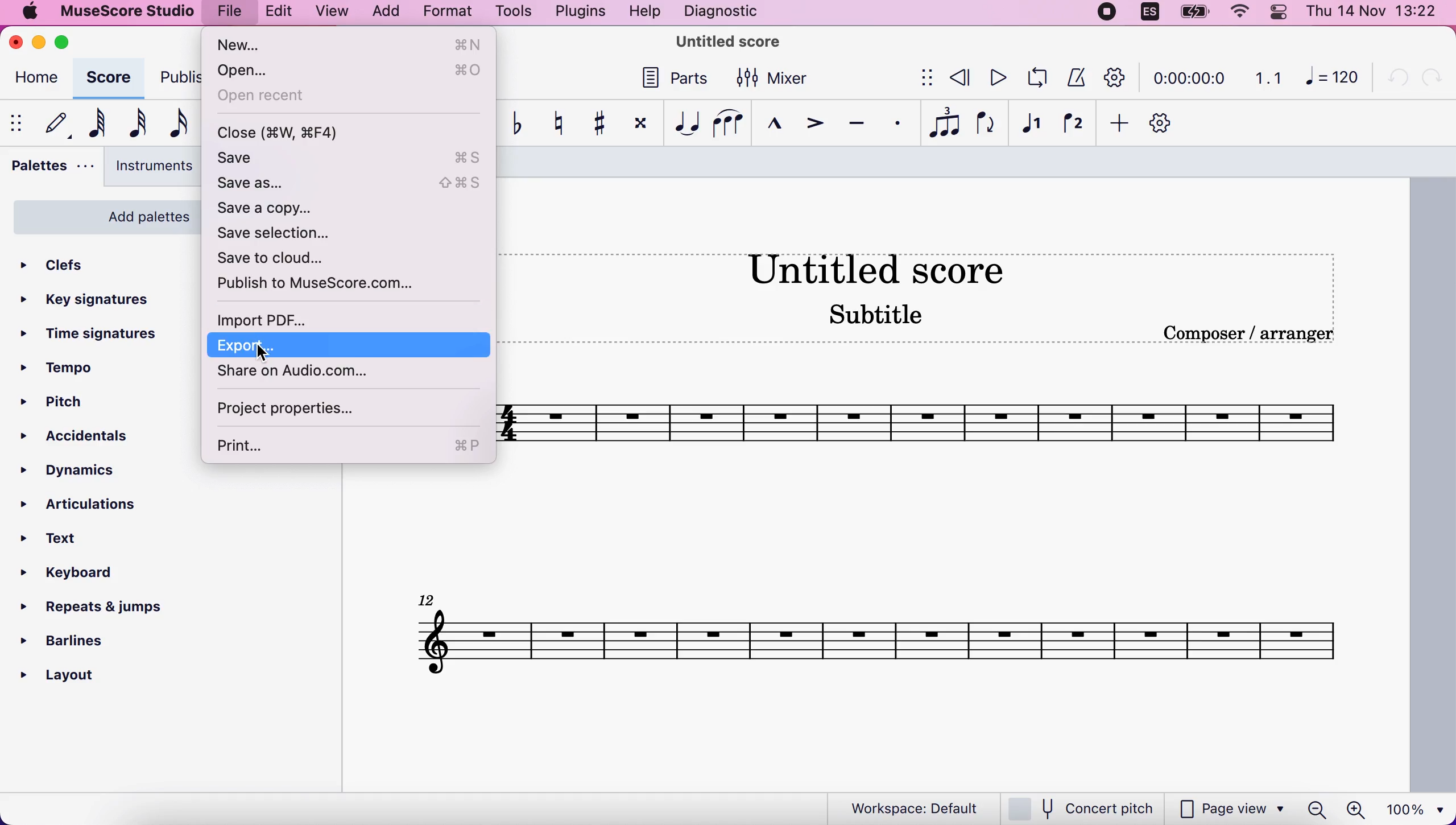 This screenshot has height=825, width=1456. I want to click on 32nd note, so click(135, 122).